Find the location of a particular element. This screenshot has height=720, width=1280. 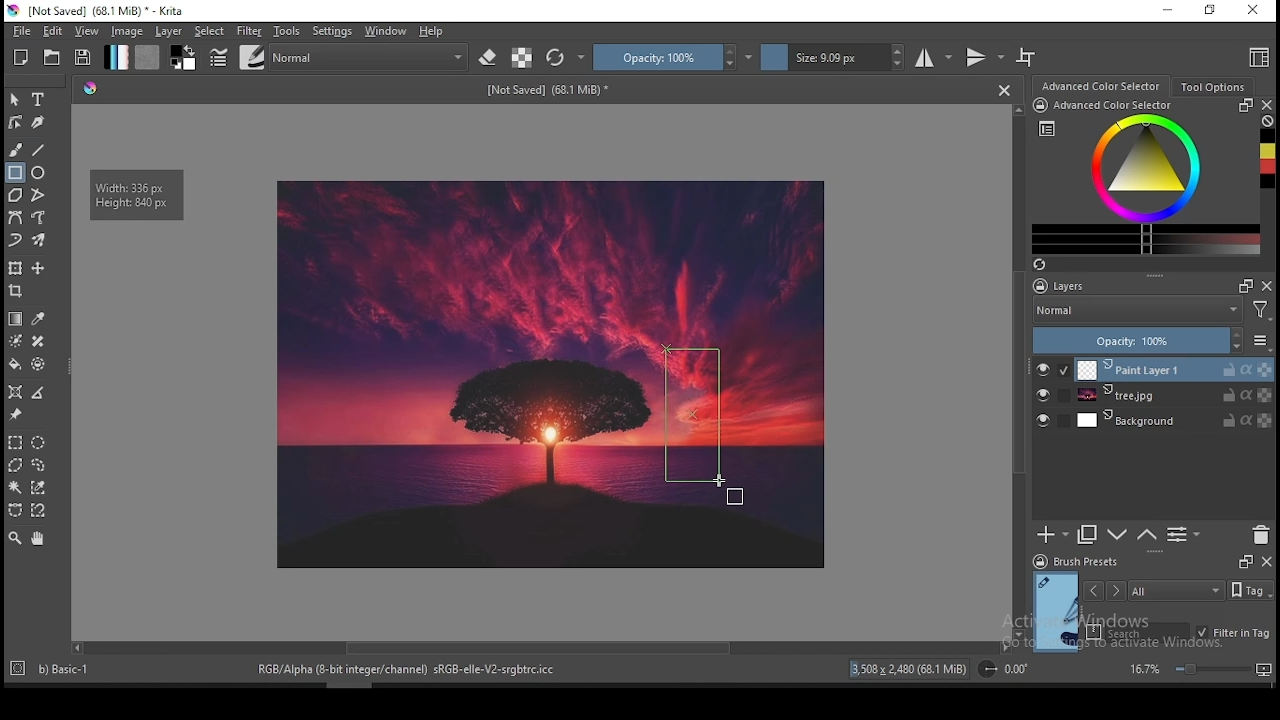

zoom  is located at coordinates (1199, 669).